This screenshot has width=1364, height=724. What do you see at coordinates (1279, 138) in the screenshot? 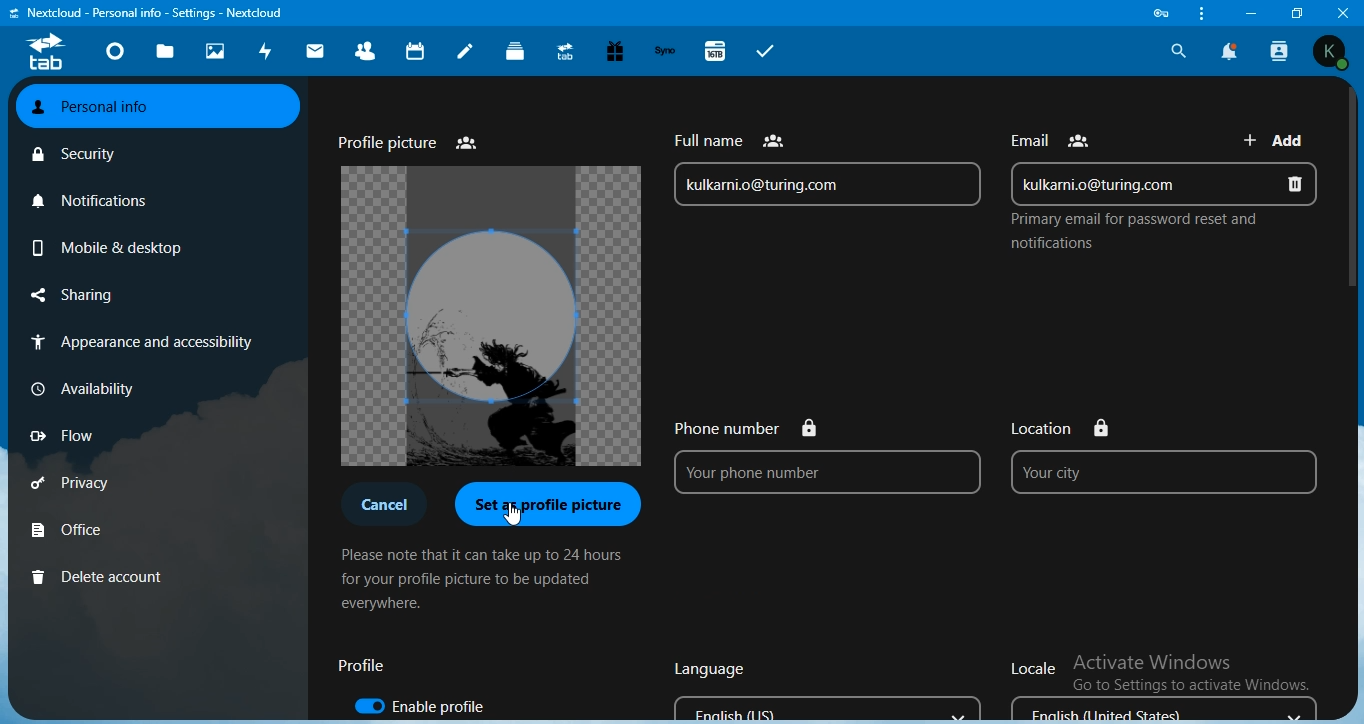
I see `add` at bounding box center [1279, 138].